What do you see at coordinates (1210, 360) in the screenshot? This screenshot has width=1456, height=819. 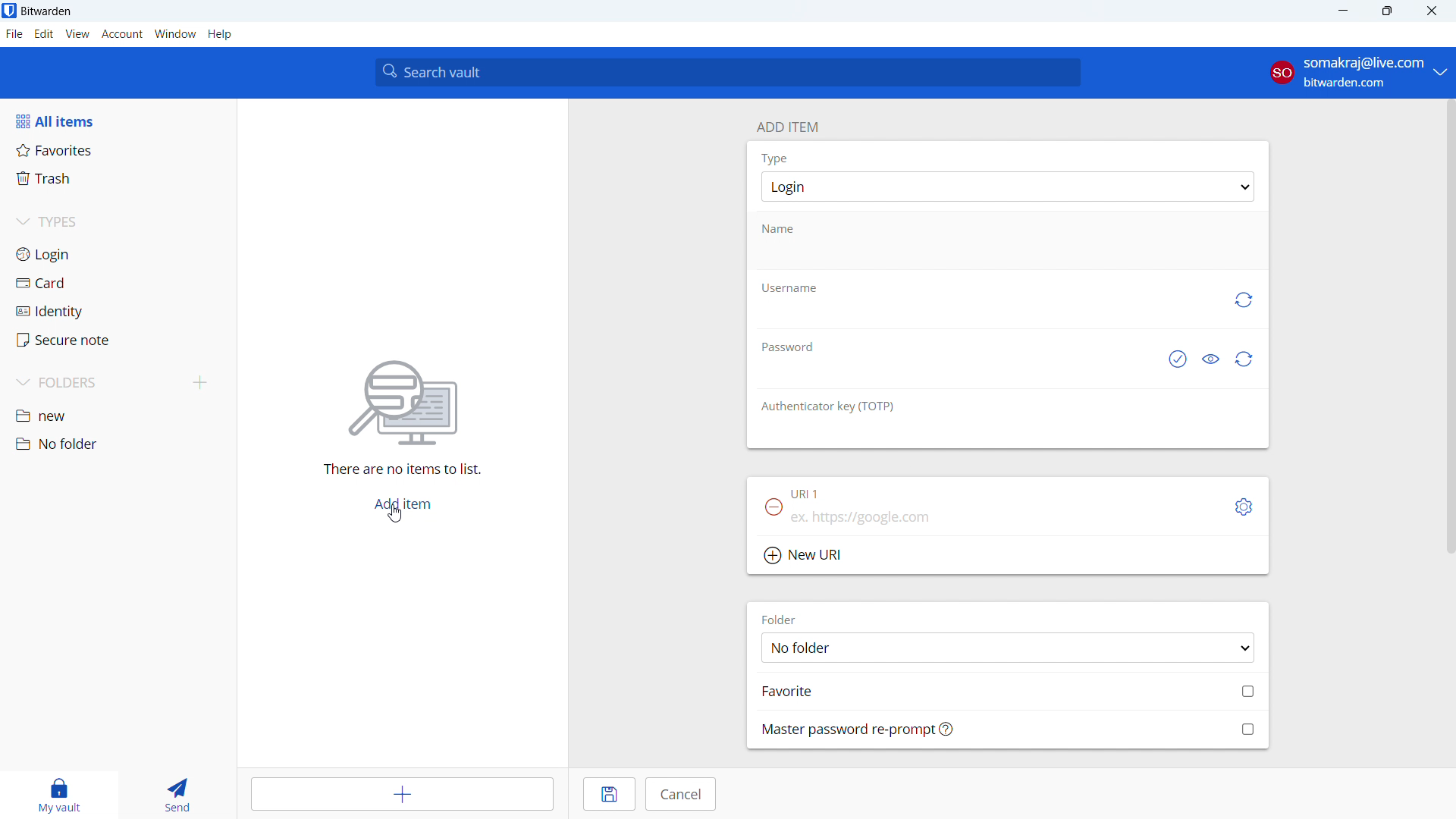 I see `toggle visibility` at bounding box center [1210, 360].